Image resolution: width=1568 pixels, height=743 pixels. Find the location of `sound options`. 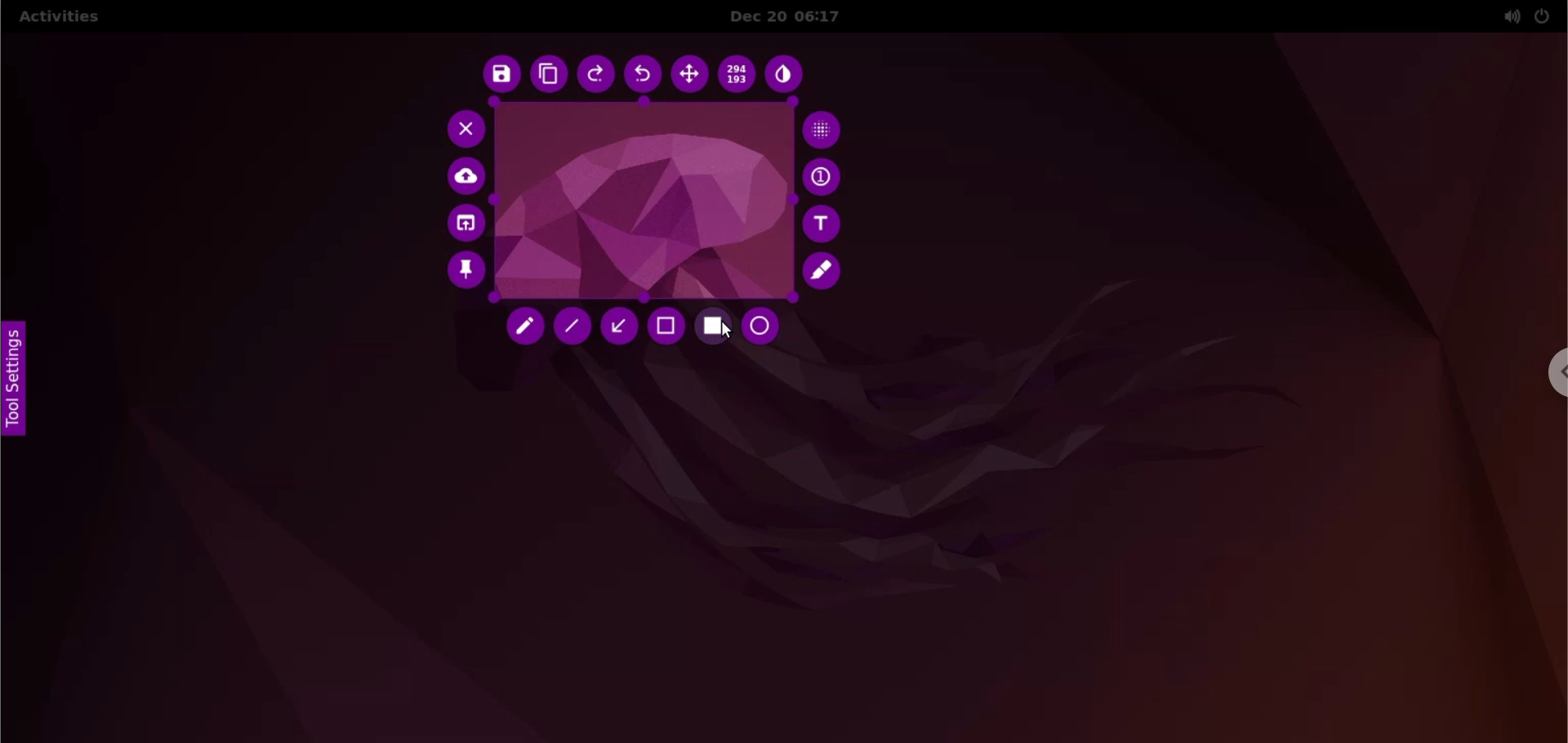

sound options is located at coordinates (1508, 16).